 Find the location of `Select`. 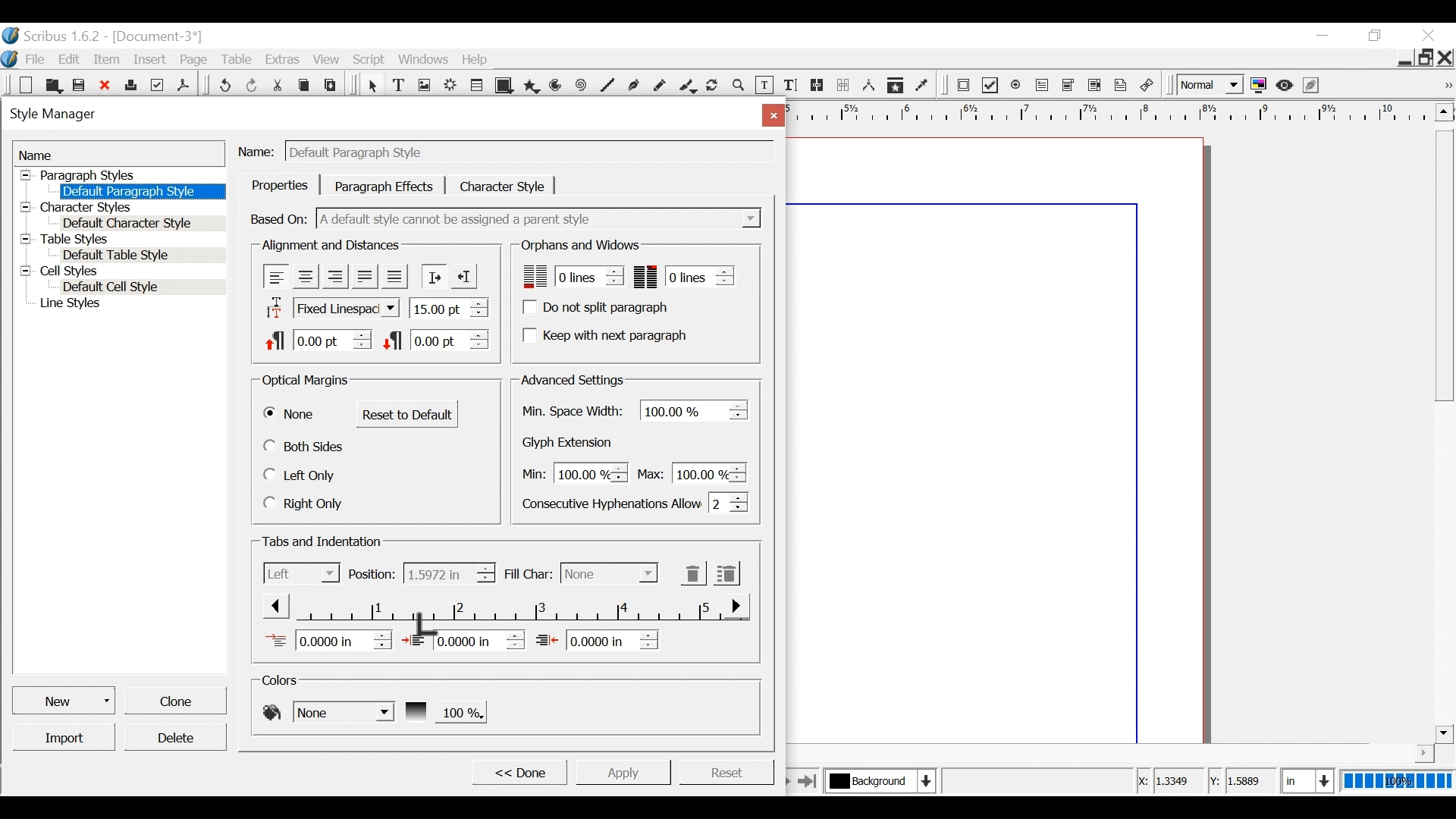

Select is located at coordinates (372, 86).